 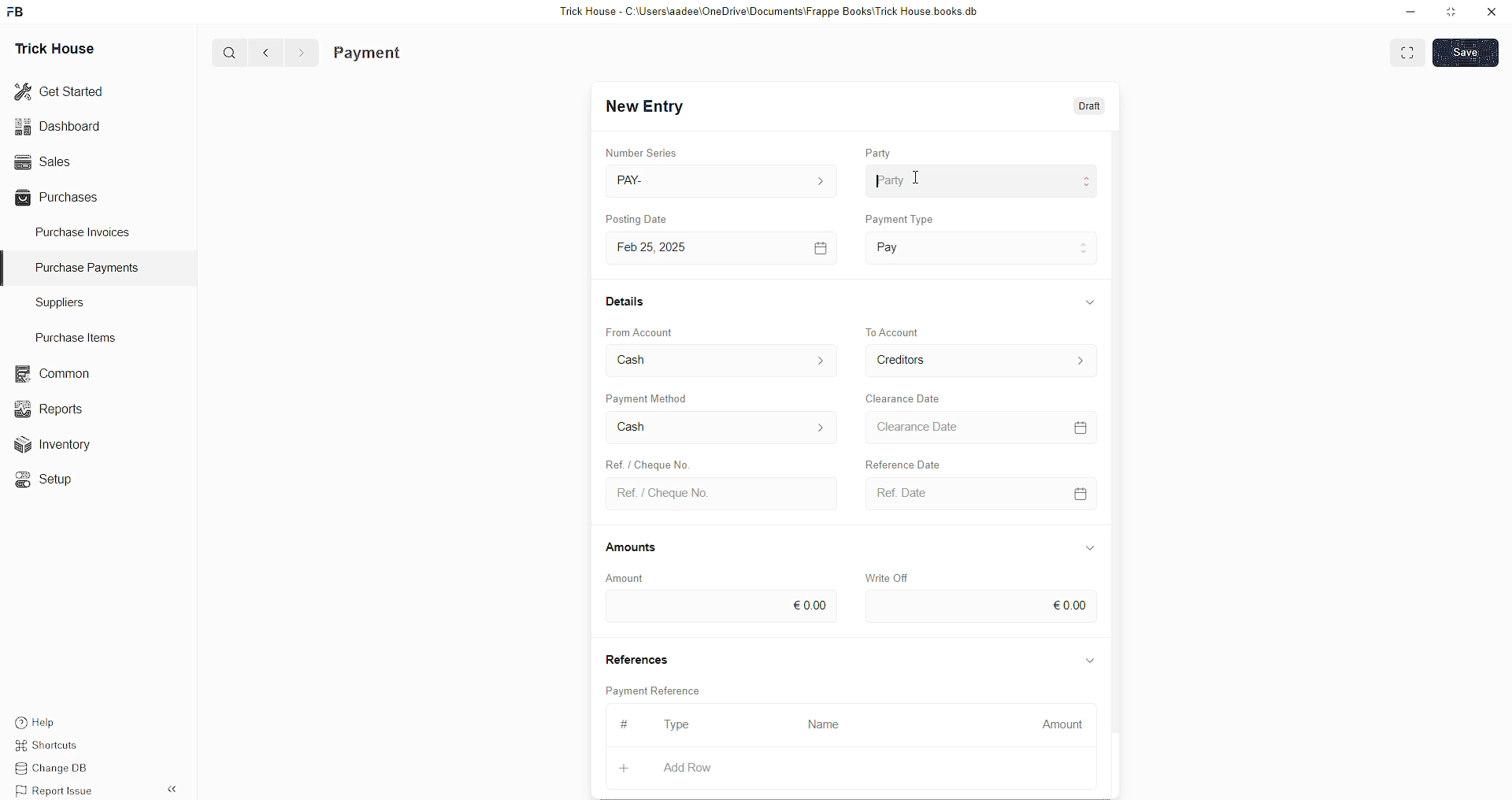 I want to click on Amount, so click(x=1062, y=720).